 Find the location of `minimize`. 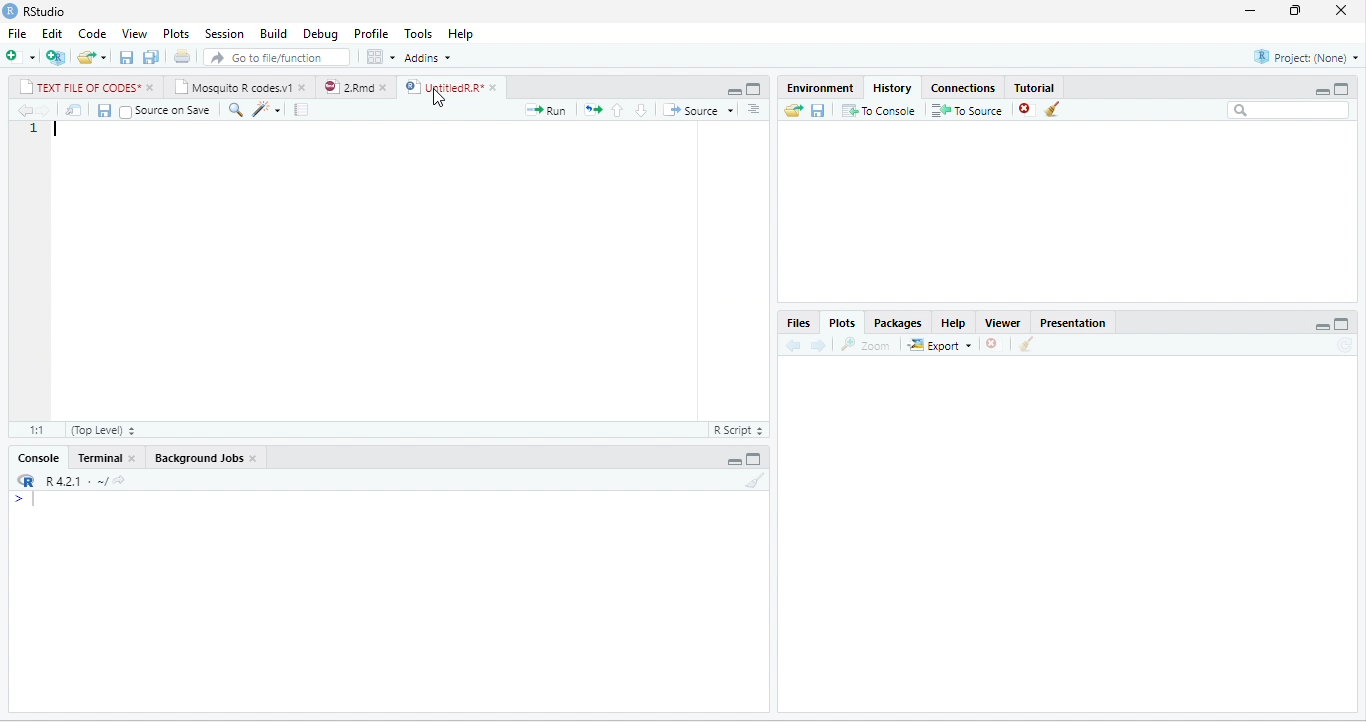

minimize is located at coordinates (1323, 91).